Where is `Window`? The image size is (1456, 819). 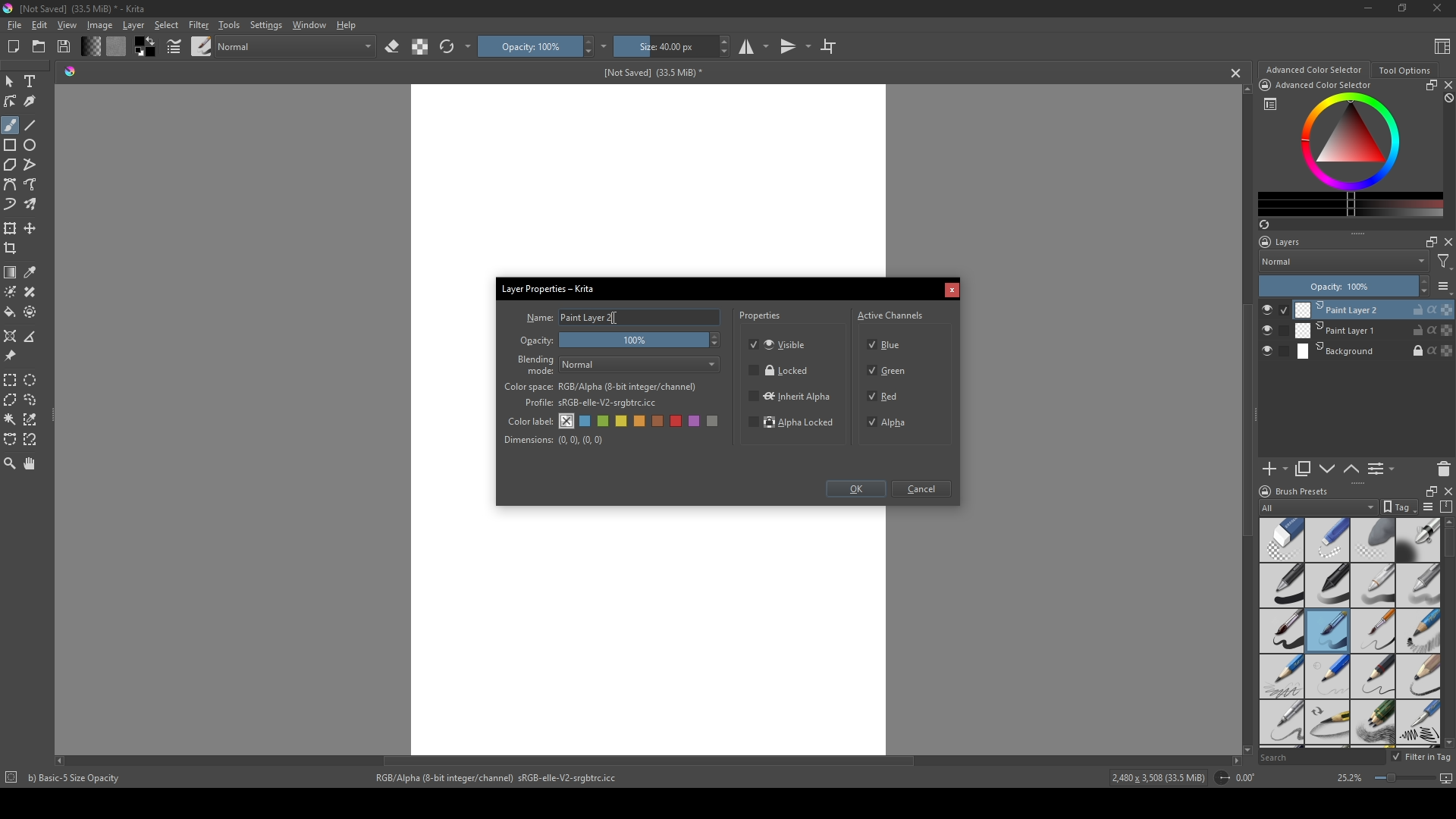 Window is located at coordinates (307, 24).